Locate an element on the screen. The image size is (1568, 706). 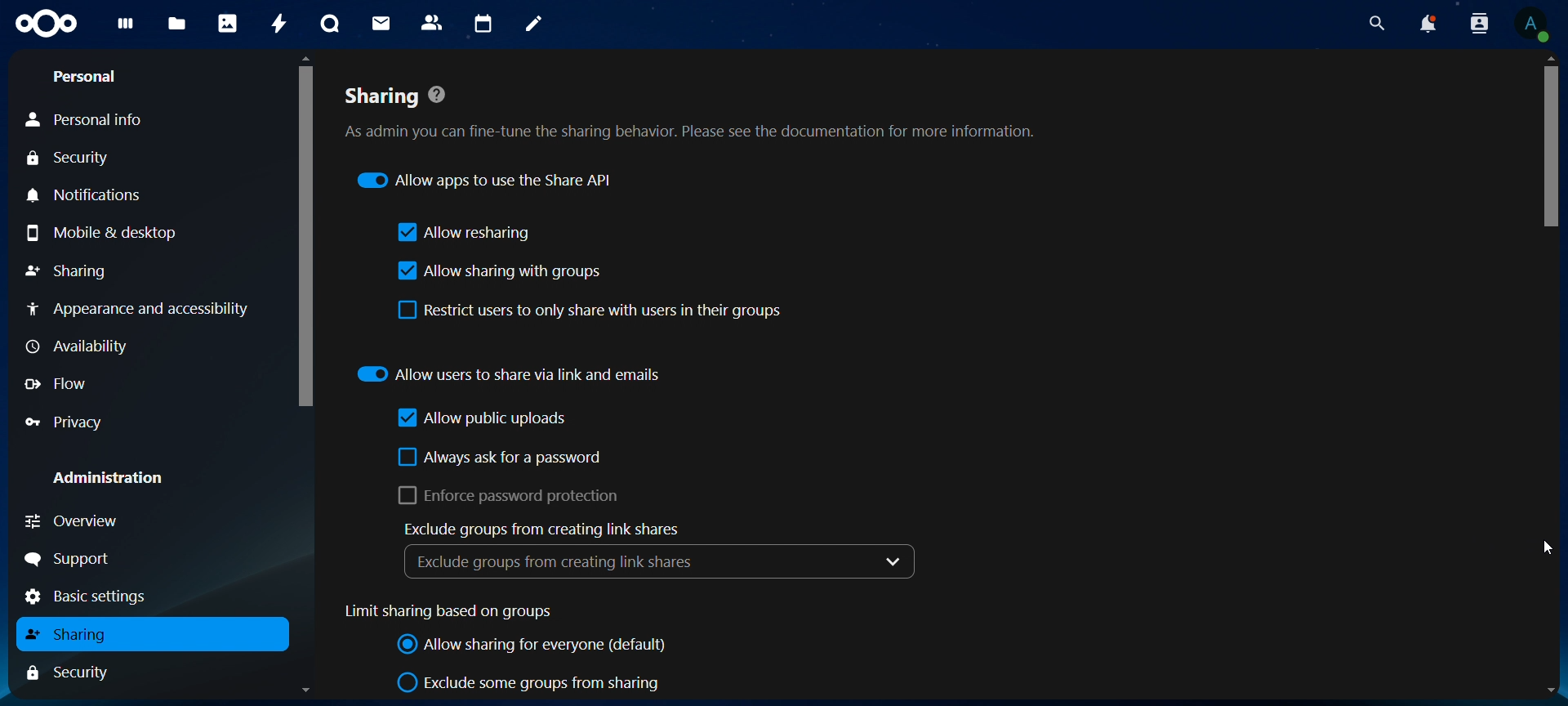
sharing is located at coordinates (75, 636).